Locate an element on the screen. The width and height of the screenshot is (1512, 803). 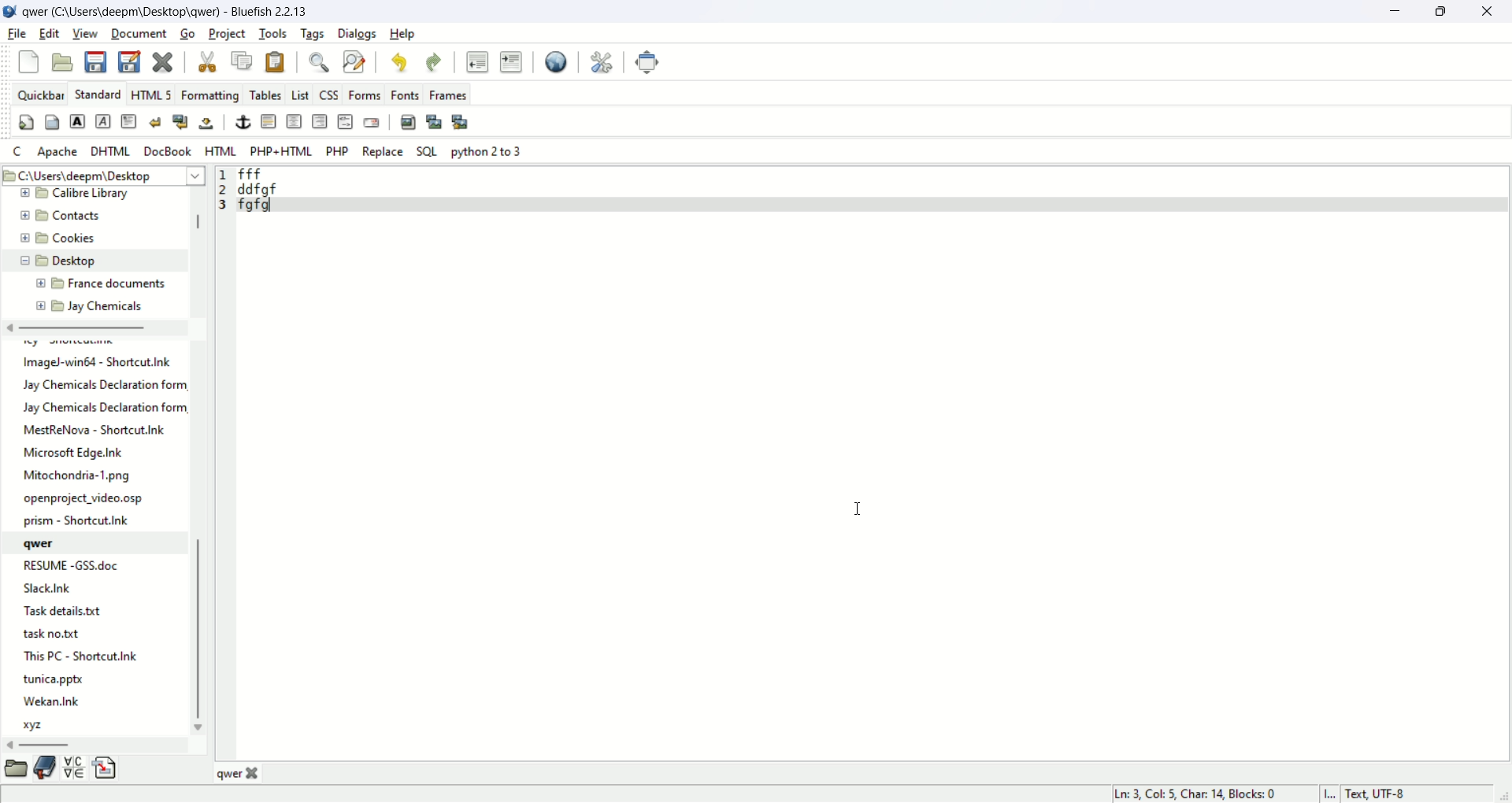
file is located at coordinates (98, 398).